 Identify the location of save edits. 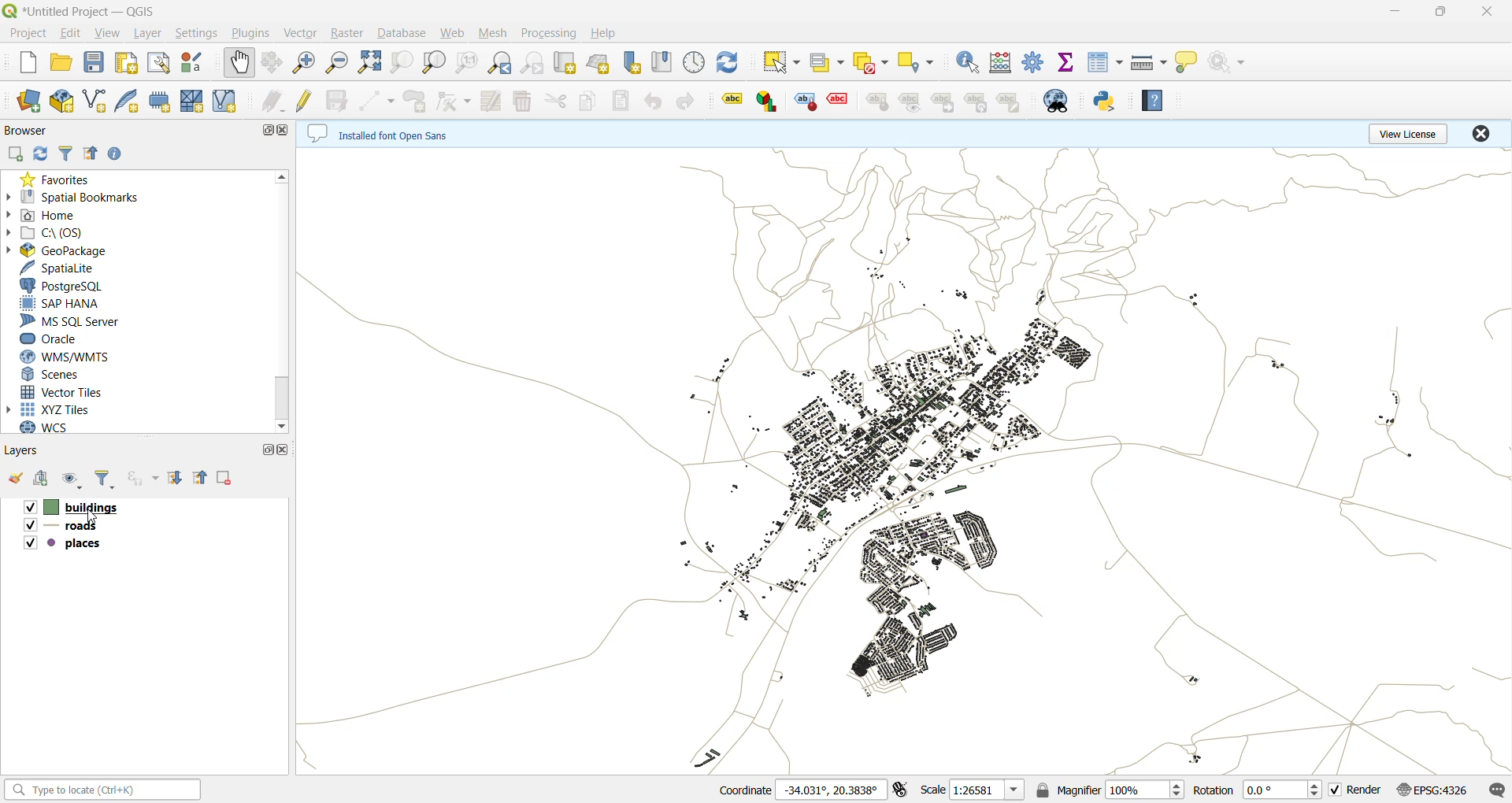
(338, 99).